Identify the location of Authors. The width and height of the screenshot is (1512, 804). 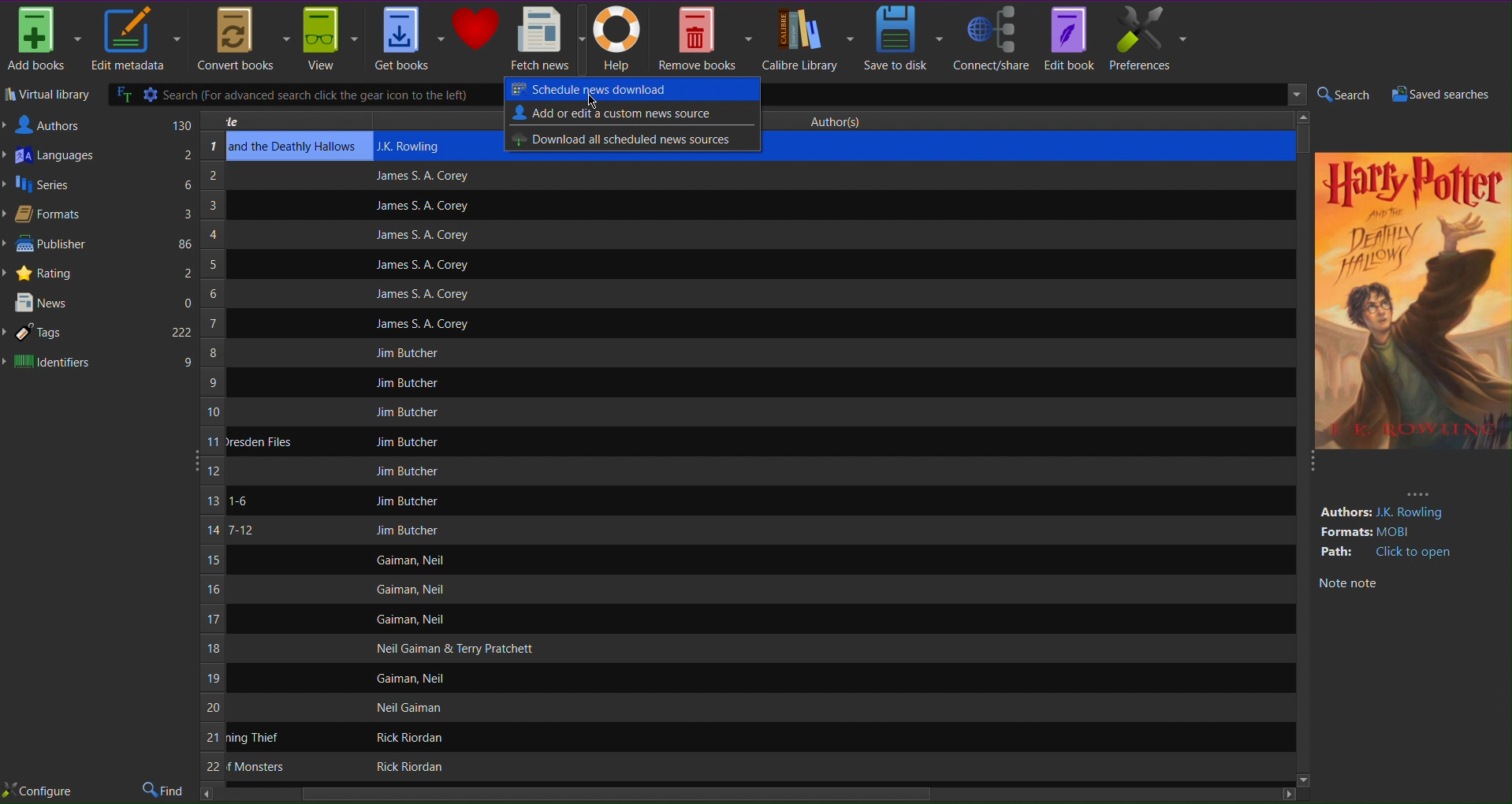
(99, 124).